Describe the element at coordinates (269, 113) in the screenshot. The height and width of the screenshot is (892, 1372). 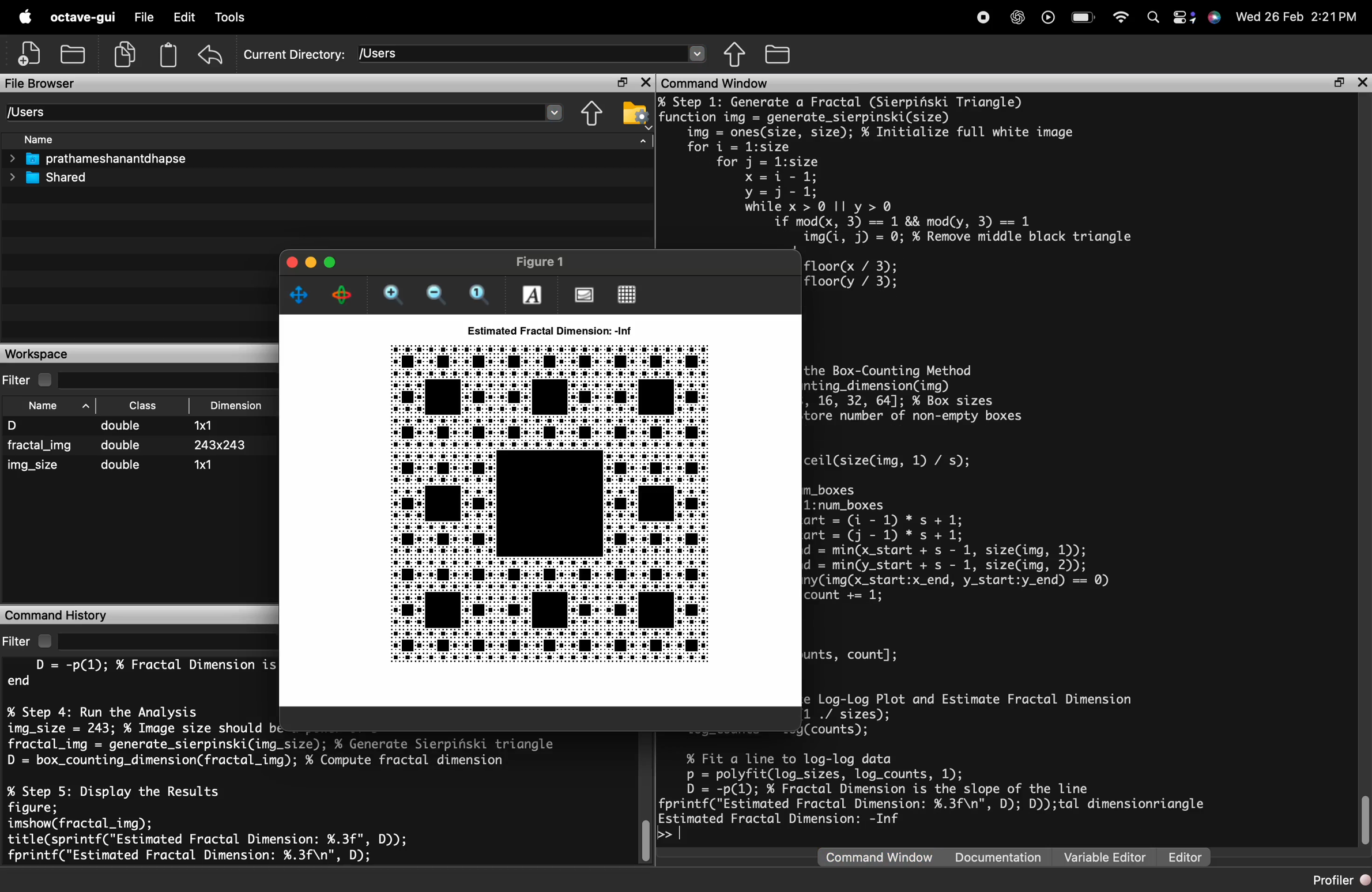
I see `enter the path or filename` at that location.